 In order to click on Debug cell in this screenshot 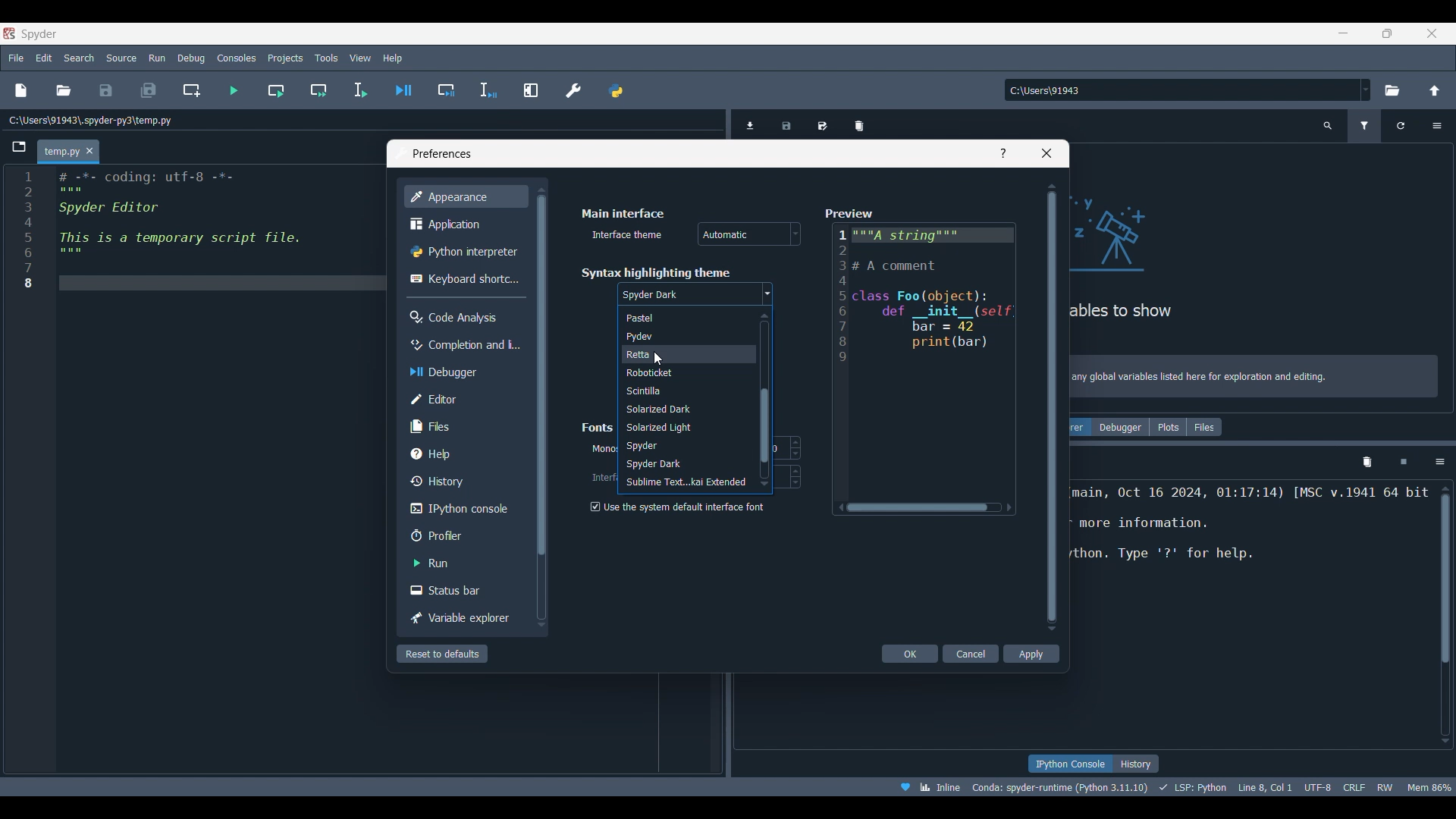, I will do `click(447, 90)`.